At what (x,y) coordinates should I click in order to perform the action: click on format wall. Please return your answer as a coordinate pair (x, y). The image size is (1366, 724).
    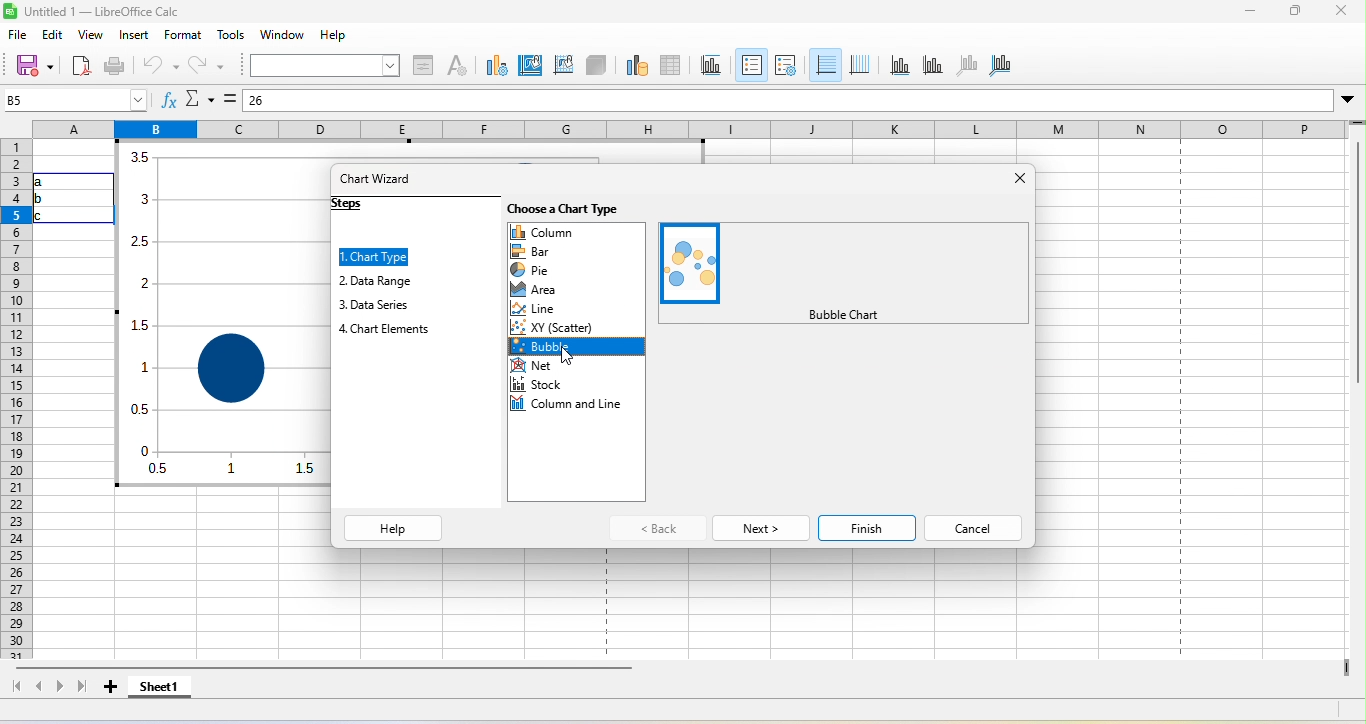
    Looking at the image, I should click on (563, 64).